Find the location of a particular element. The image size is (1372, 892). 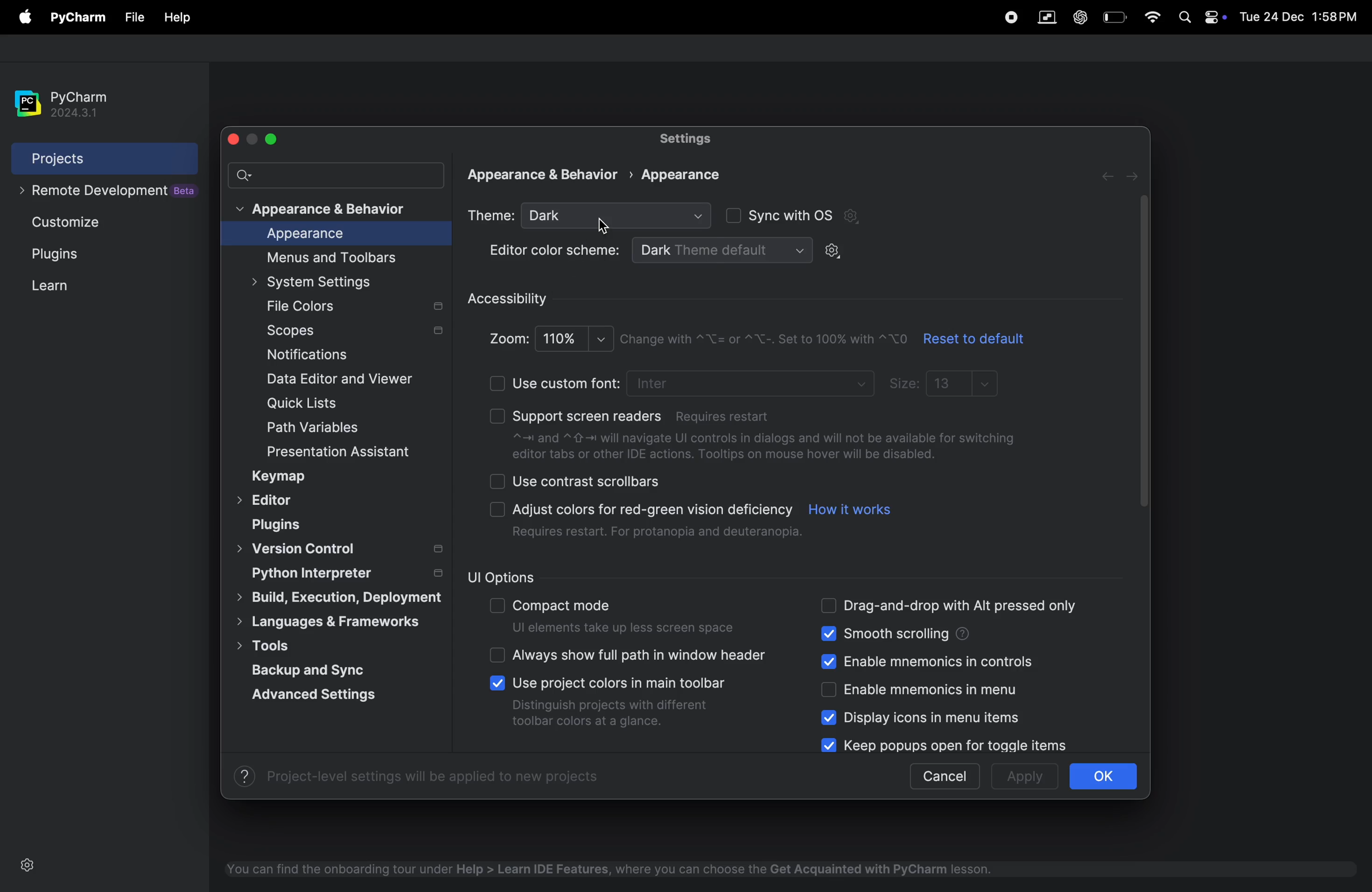

checkboxes is located at coordinates (495, 513).